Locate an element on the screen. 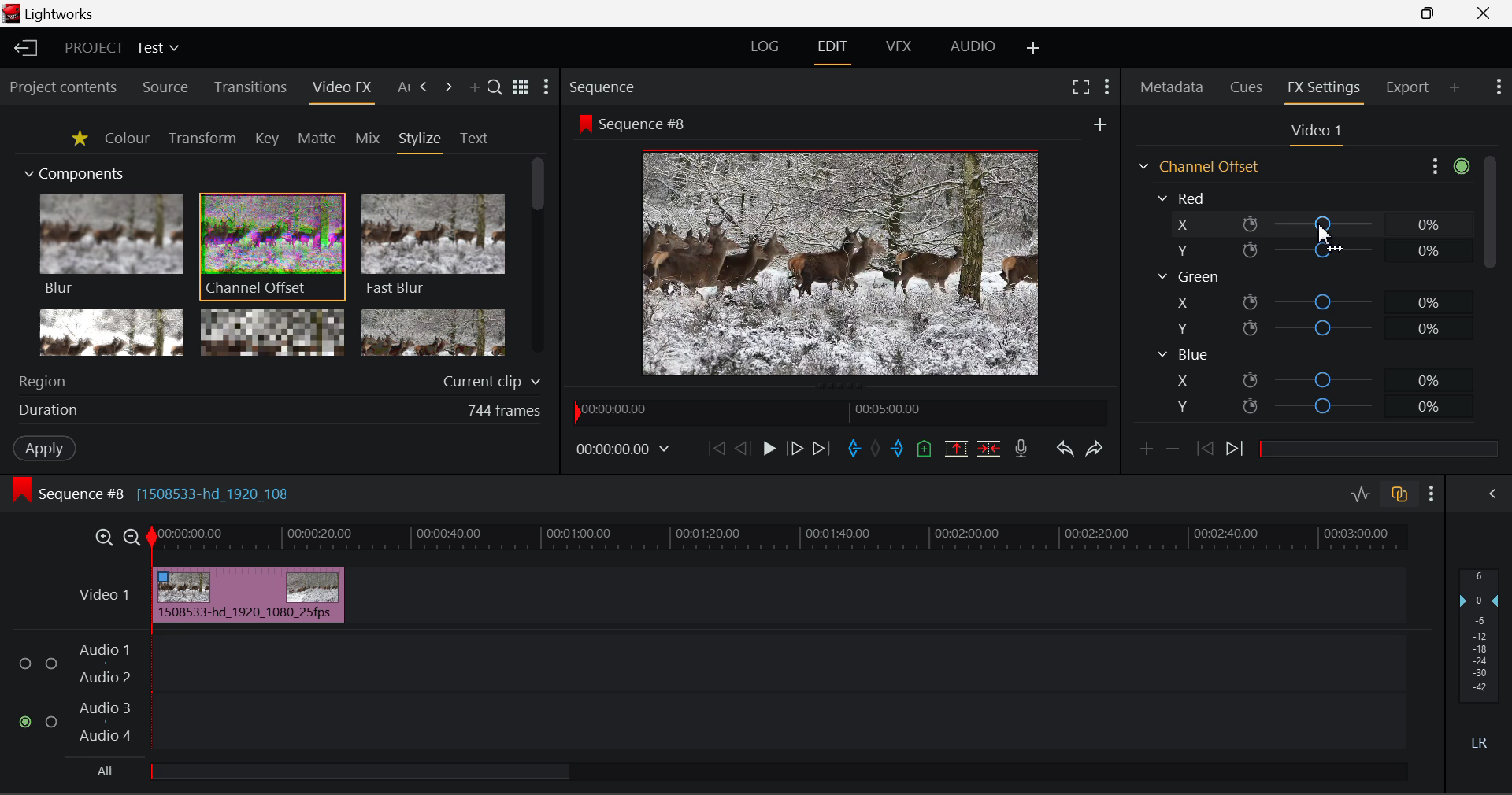 Image resolution: width=1512 pixels, height=795 pixels. AUDIO Layout is located at coordinates (975, 50).